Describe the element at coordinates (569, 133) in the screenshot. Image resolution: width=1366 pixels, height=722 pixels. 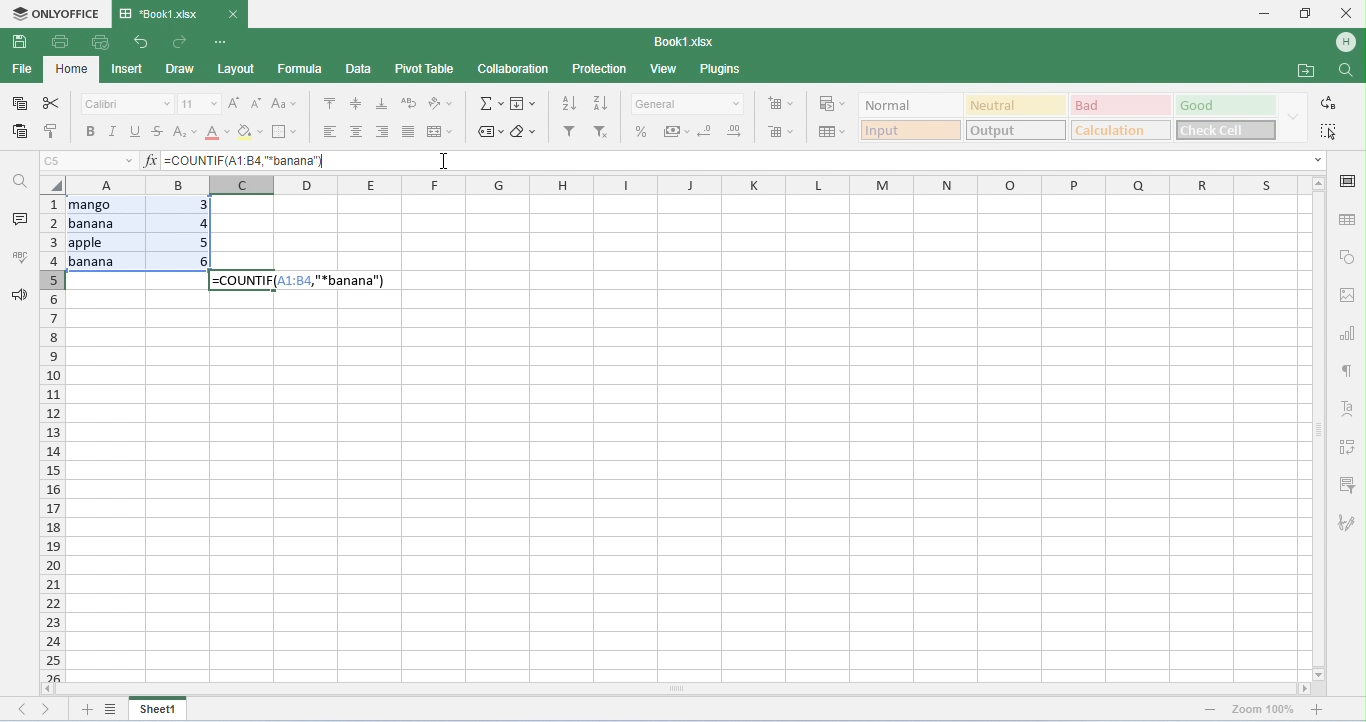
I see `filter` at that location.